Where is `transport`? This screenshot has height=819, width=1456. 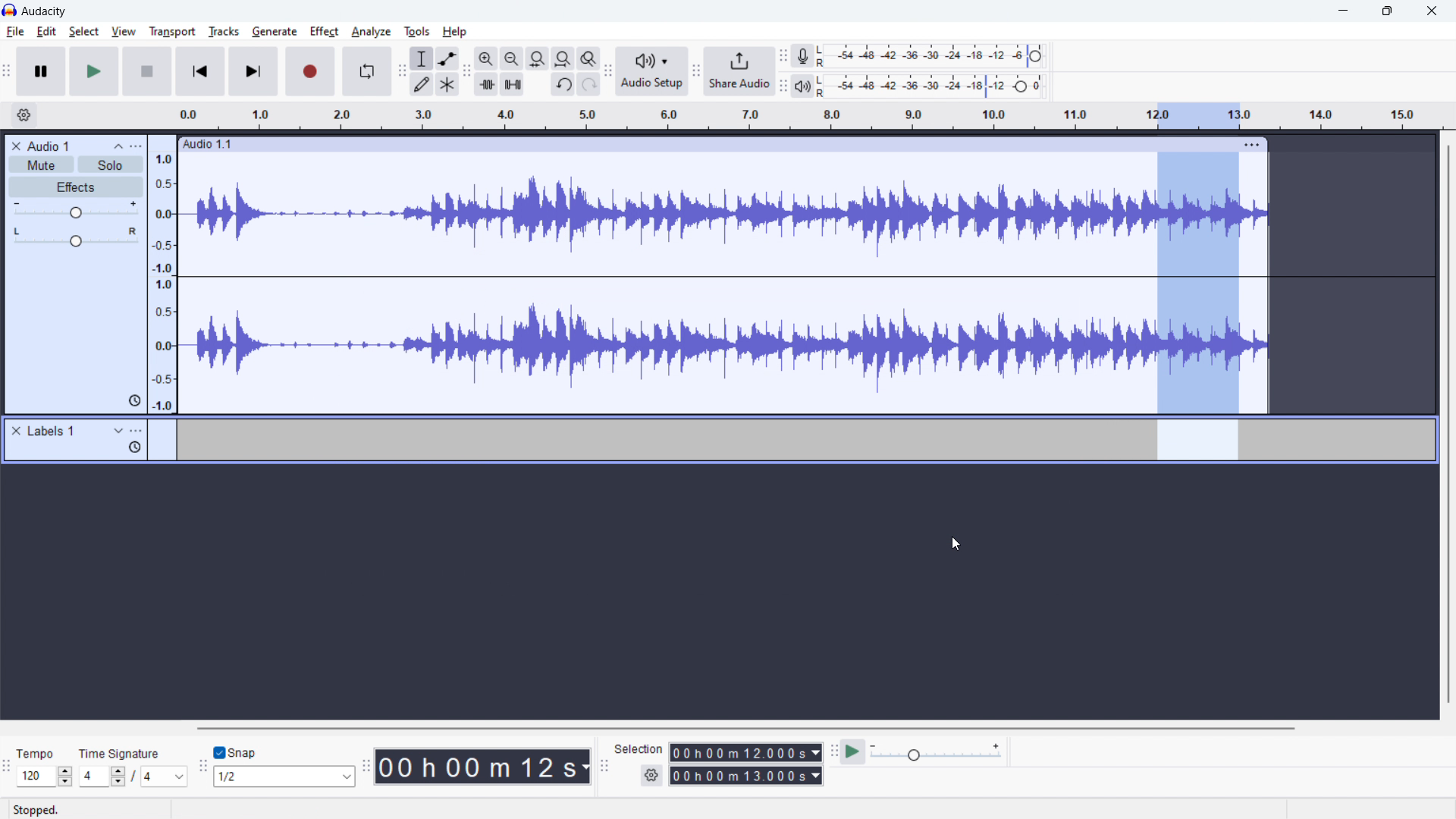 transport is located at coordinates (172, 31).